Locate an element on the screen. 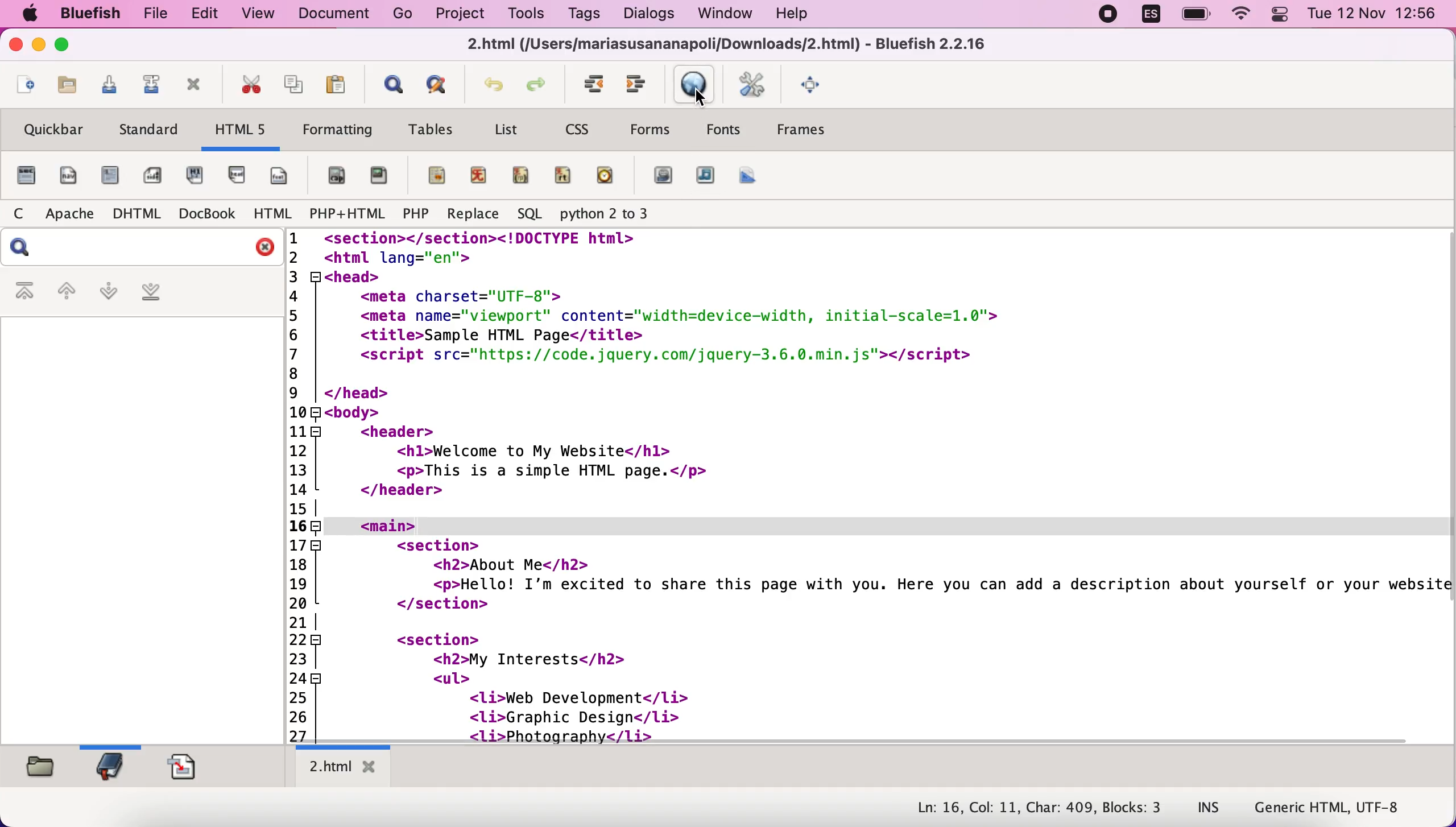 This screenshot has width=1456, height=827. edit is located at coordinates (206, 13).